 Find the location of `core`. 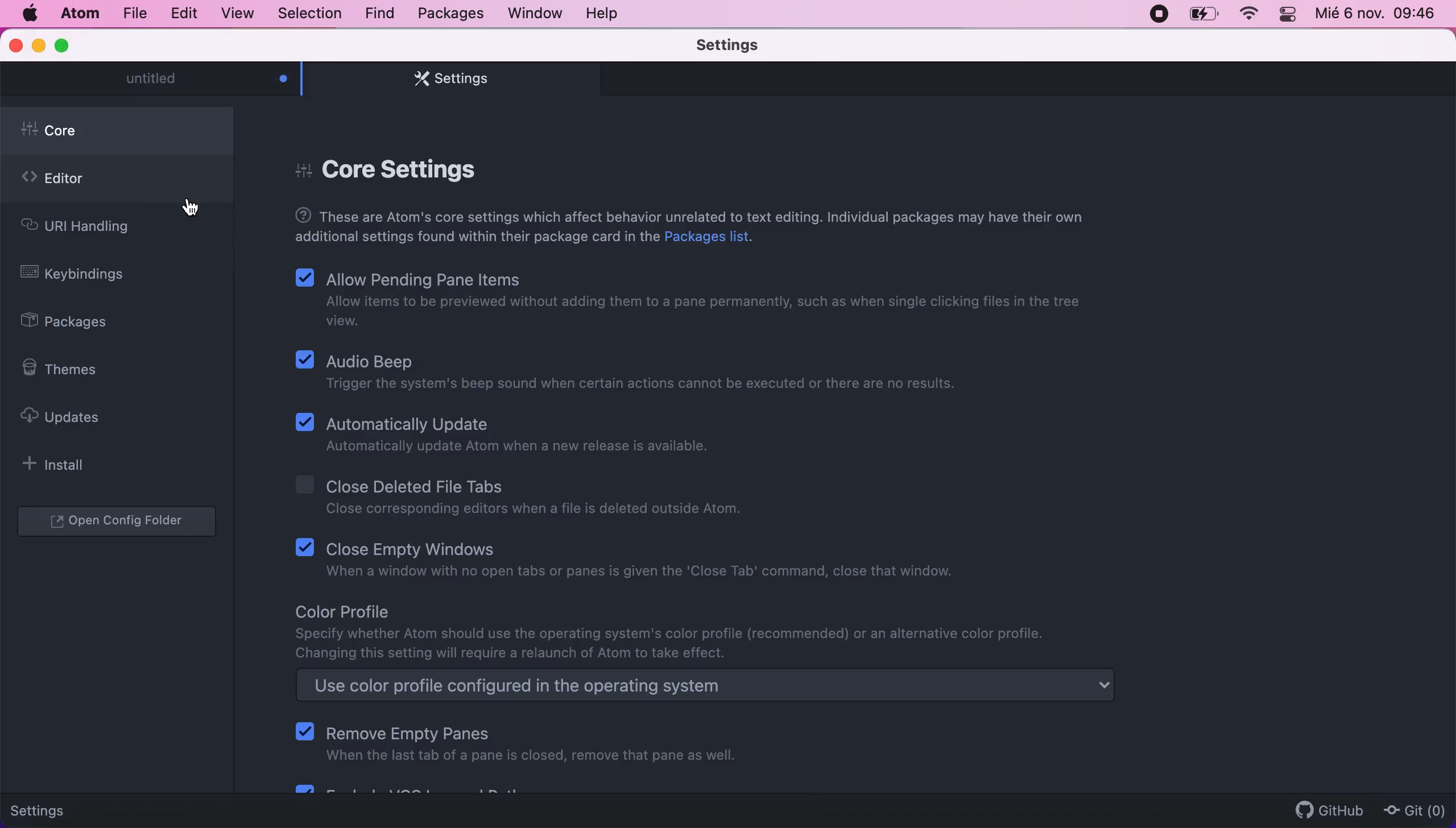

core is located at coordinates (64, 127).